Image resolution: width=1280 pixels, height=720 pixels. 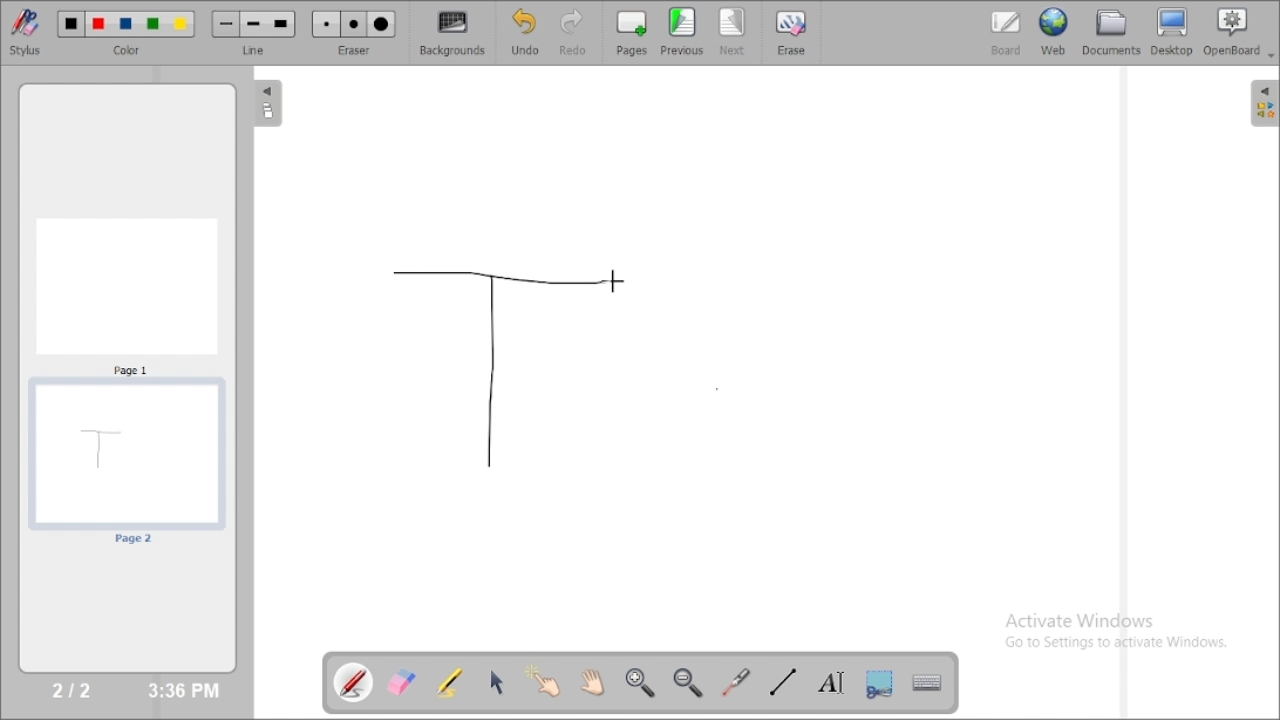 What do you see at coordinates (126, 464) in the screenshot?
I see `page 2` at bounding box center [126, 464].